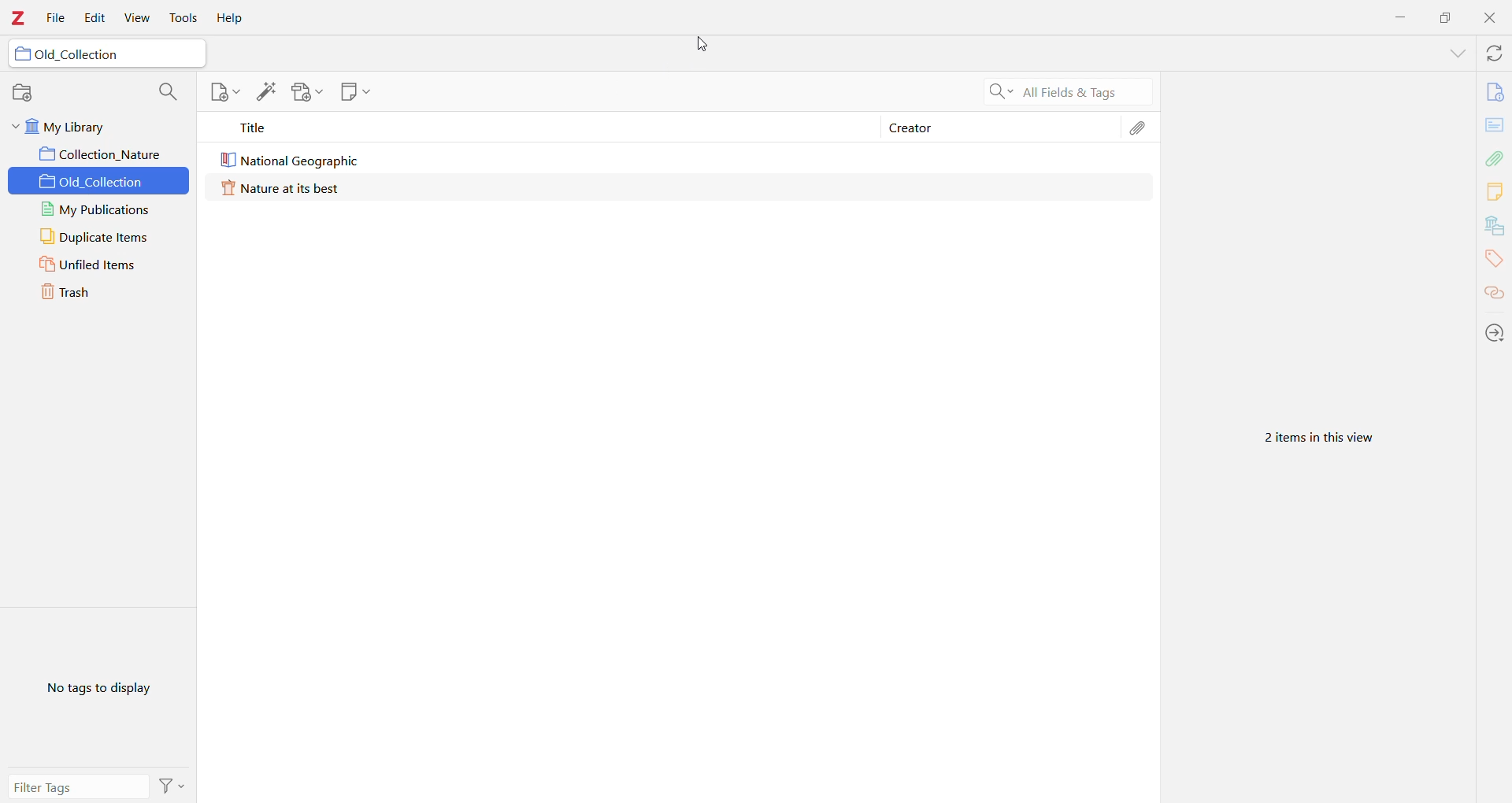  Describe the element at coordinates (357, 94) in the screenshot. I see `New Note` at that location.